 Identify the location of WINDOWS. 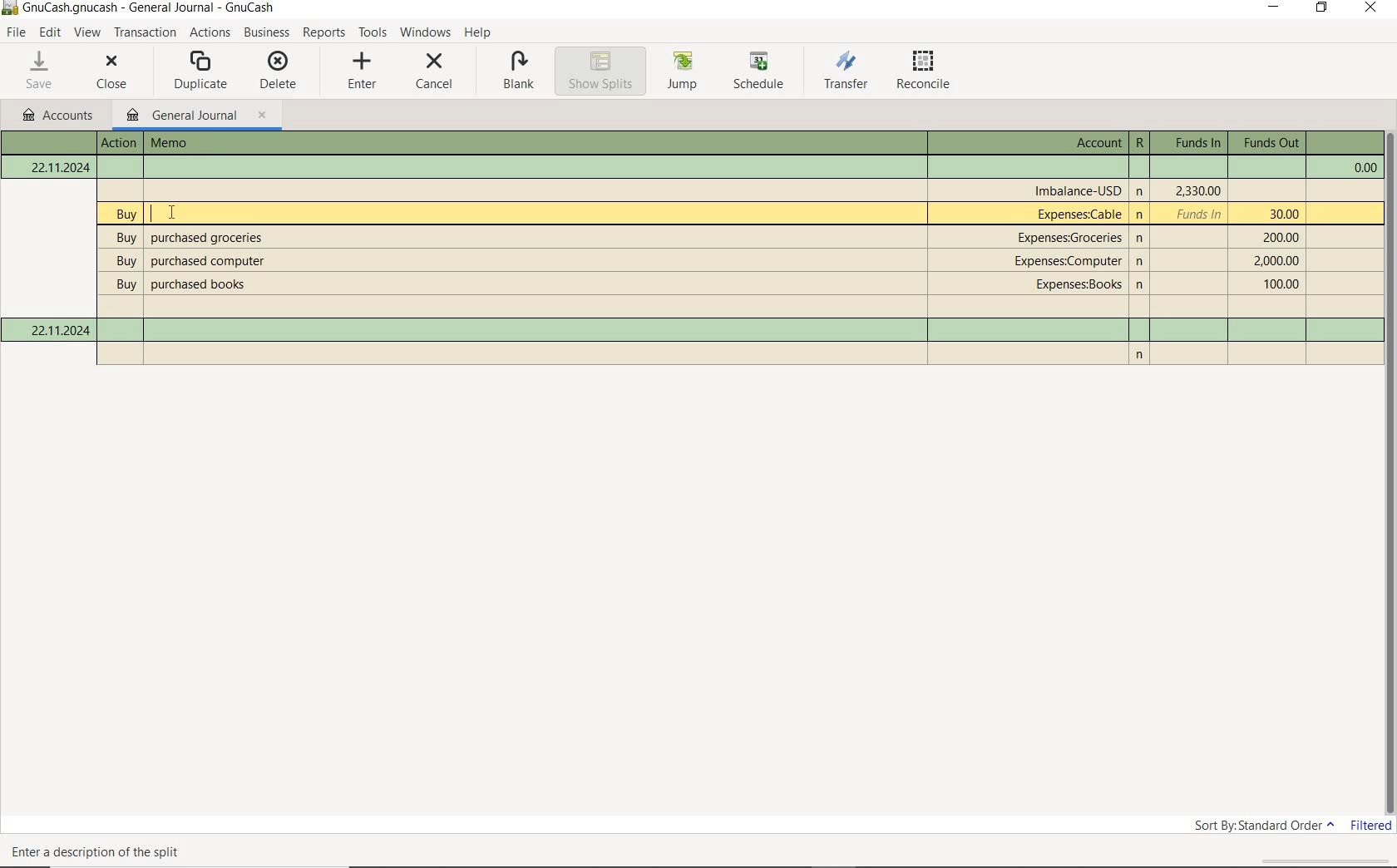
(426, 32).